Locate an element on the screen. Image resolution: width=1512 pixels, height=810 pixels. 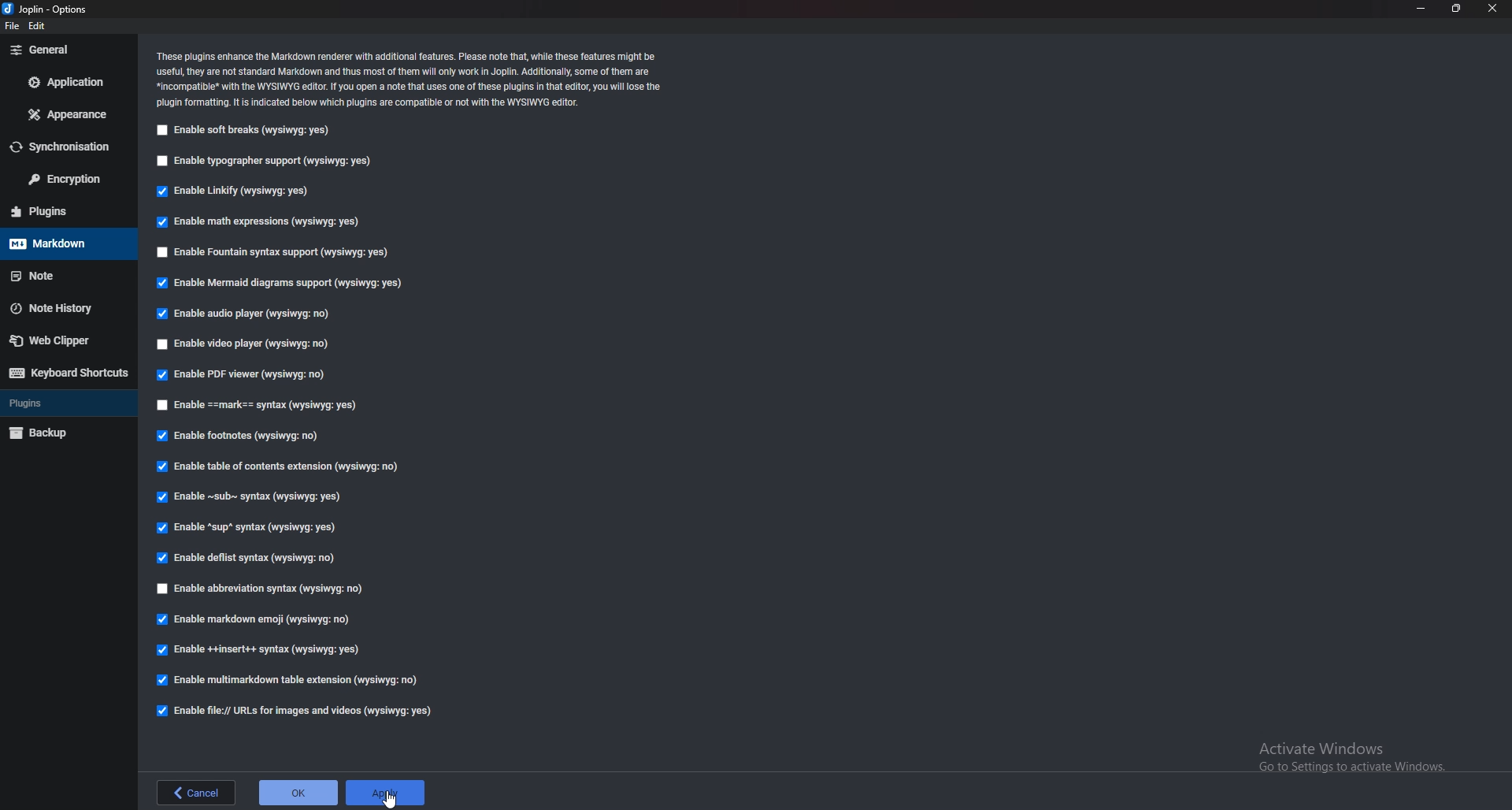
enable table of contents extension is located at coordinates (287, 468).